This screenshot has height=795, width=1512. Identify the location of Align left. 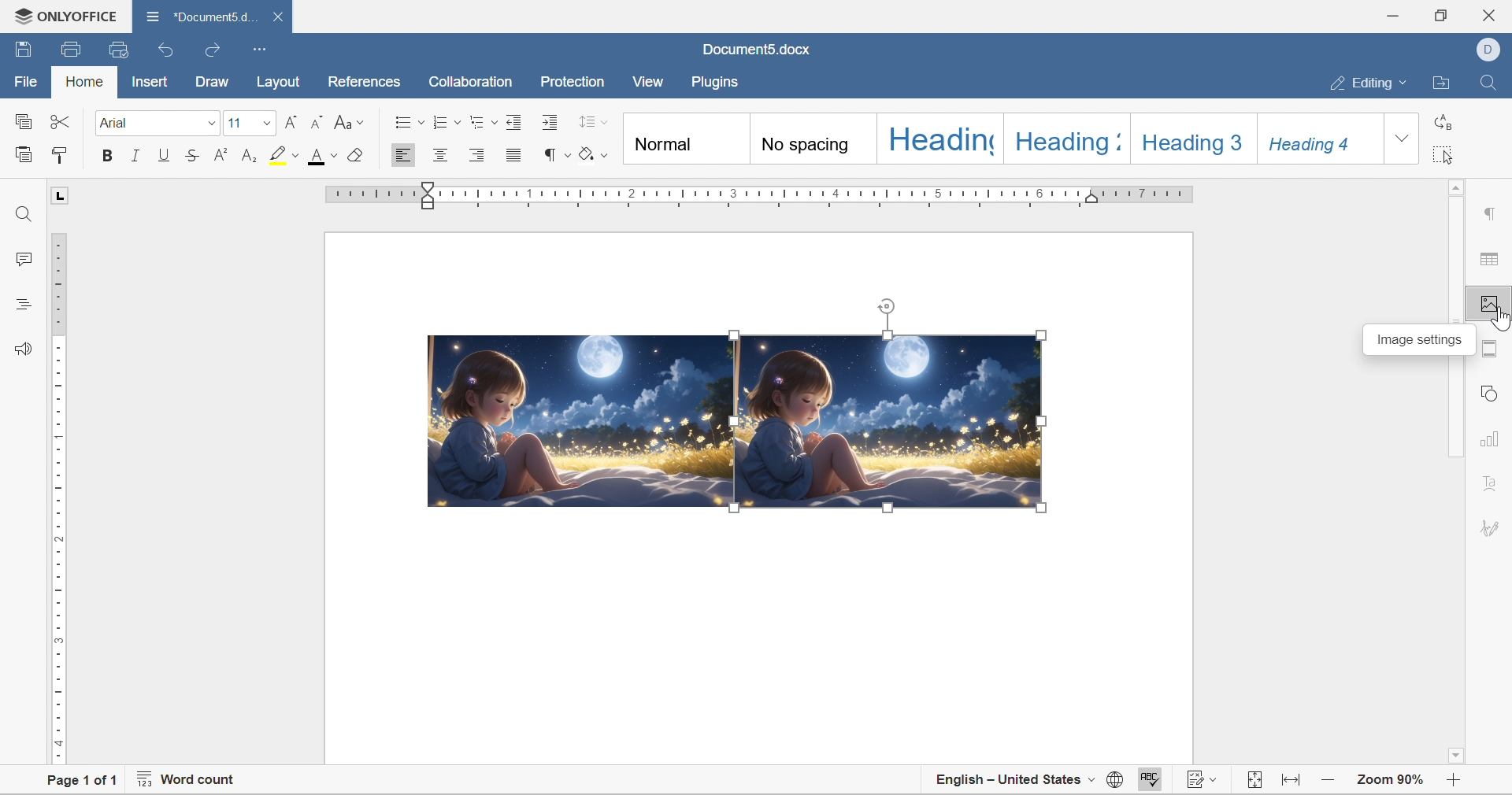
(404, 154).